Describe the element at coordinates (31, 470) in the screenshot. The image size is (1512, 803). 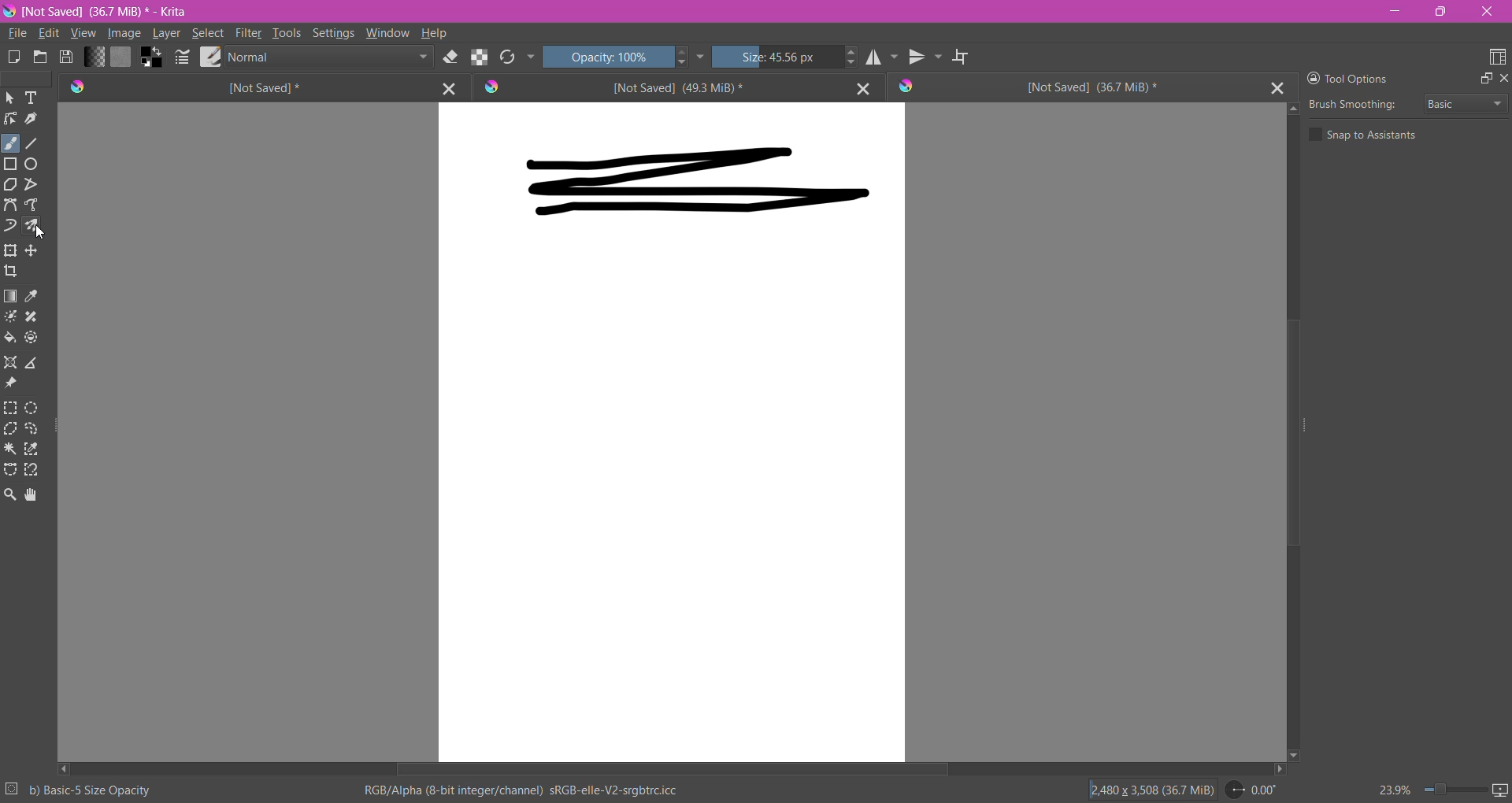
I see `Magnetic Curve Selection Tool` at that location.